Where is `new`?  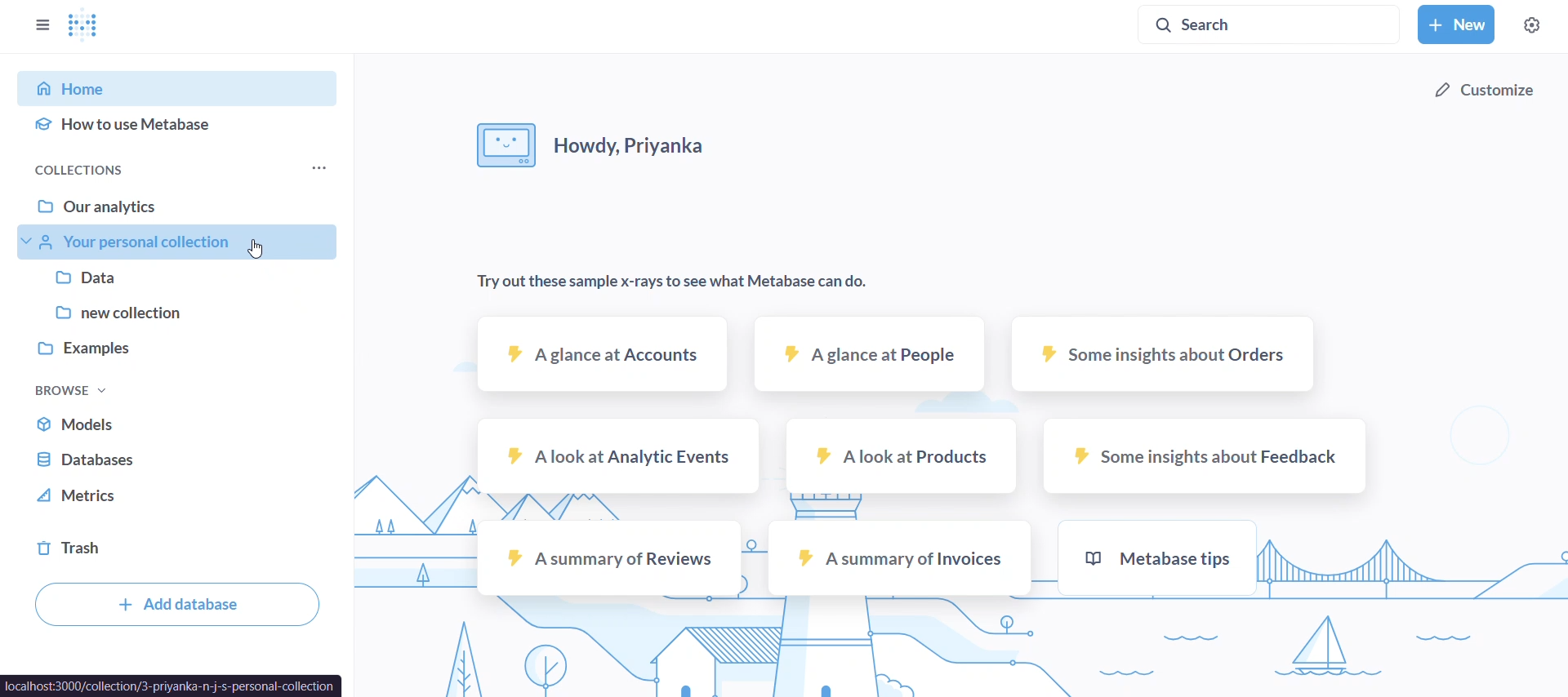 new is located at coordinates (1457, 25).